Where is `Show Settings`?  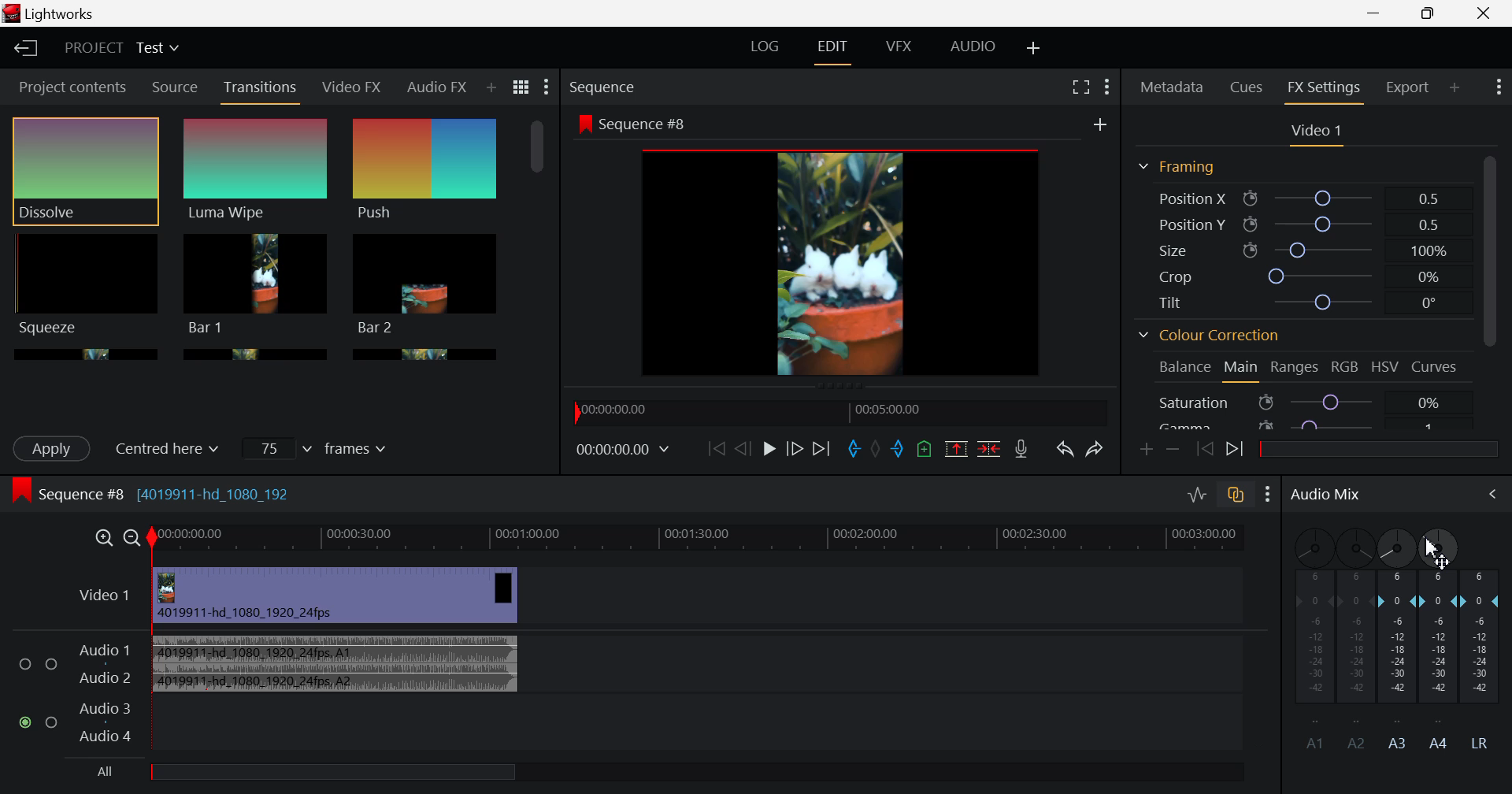 Show Settings is located at coordinates (1268, 496).